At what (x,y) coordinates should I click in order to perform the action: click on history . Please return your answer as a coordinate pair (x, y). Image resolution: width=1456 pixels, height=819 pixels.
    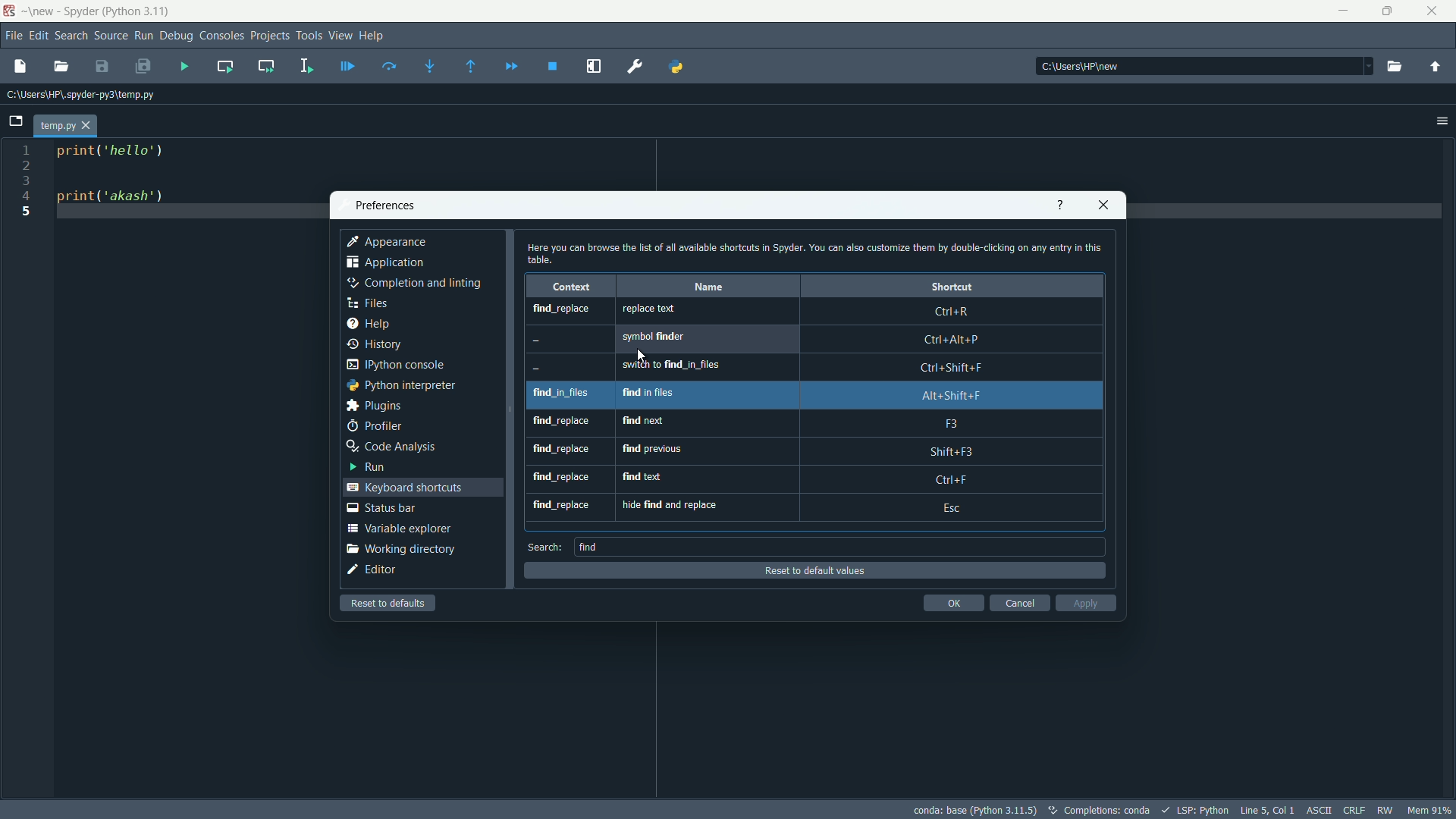
    Looking at the image, I should click on (375, 345).